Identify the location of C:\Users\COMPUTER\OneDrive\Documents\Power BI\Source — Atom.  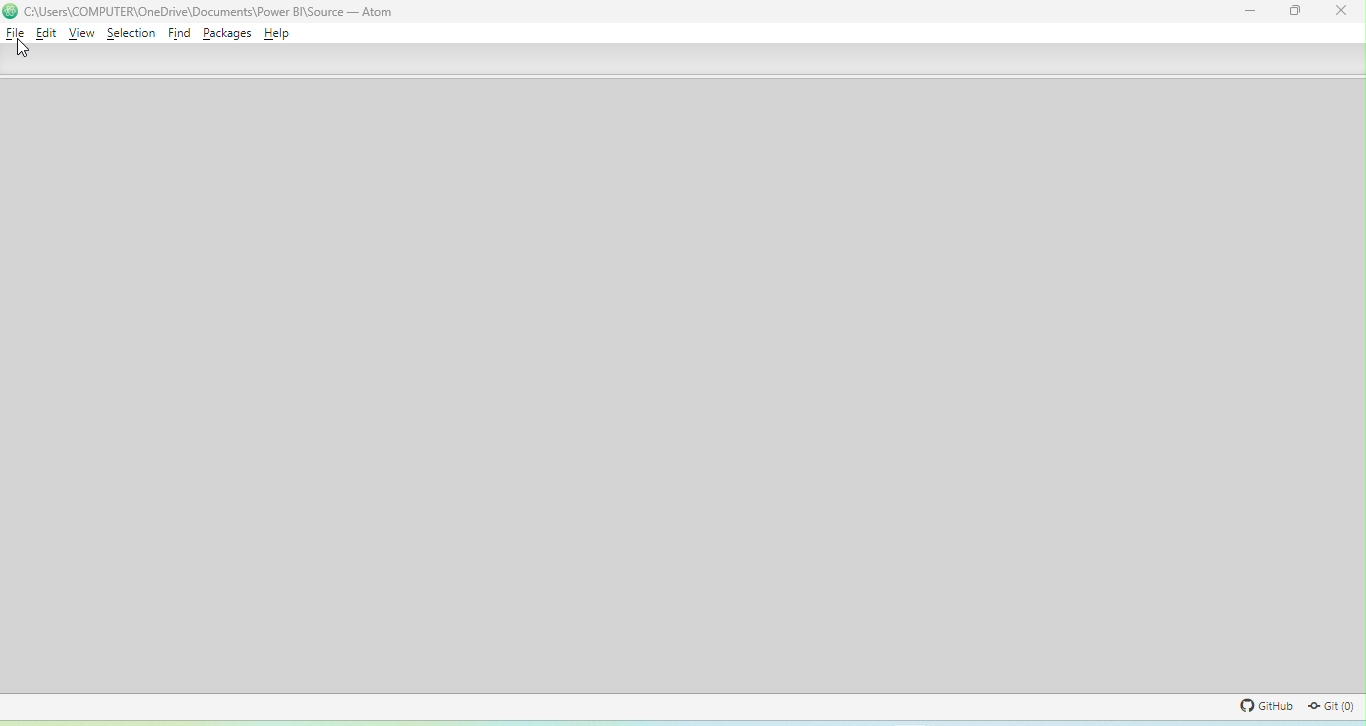
(211, 11).